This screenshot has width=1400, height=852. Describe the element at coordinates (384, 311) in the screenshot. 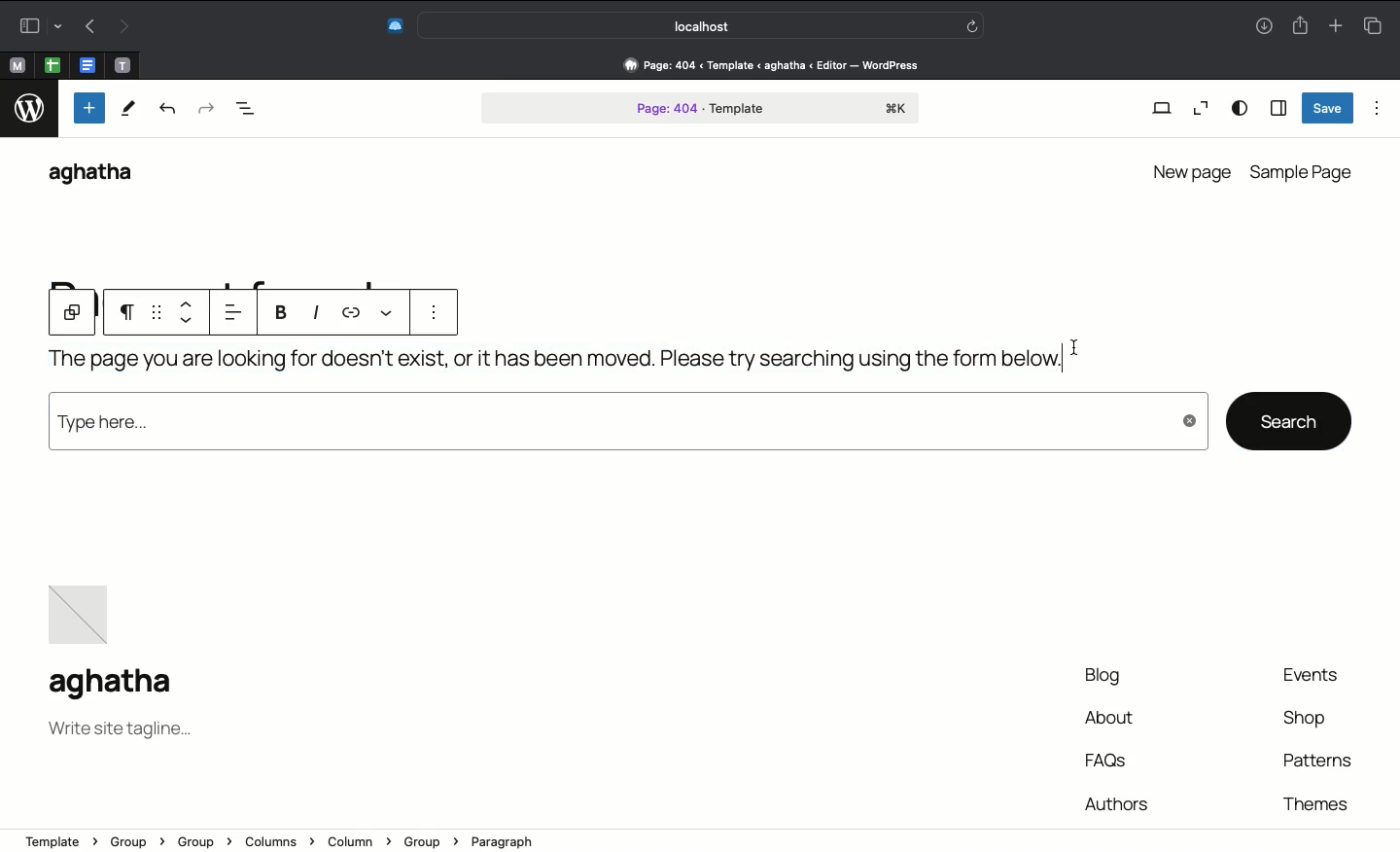

I see `View more` at that location.